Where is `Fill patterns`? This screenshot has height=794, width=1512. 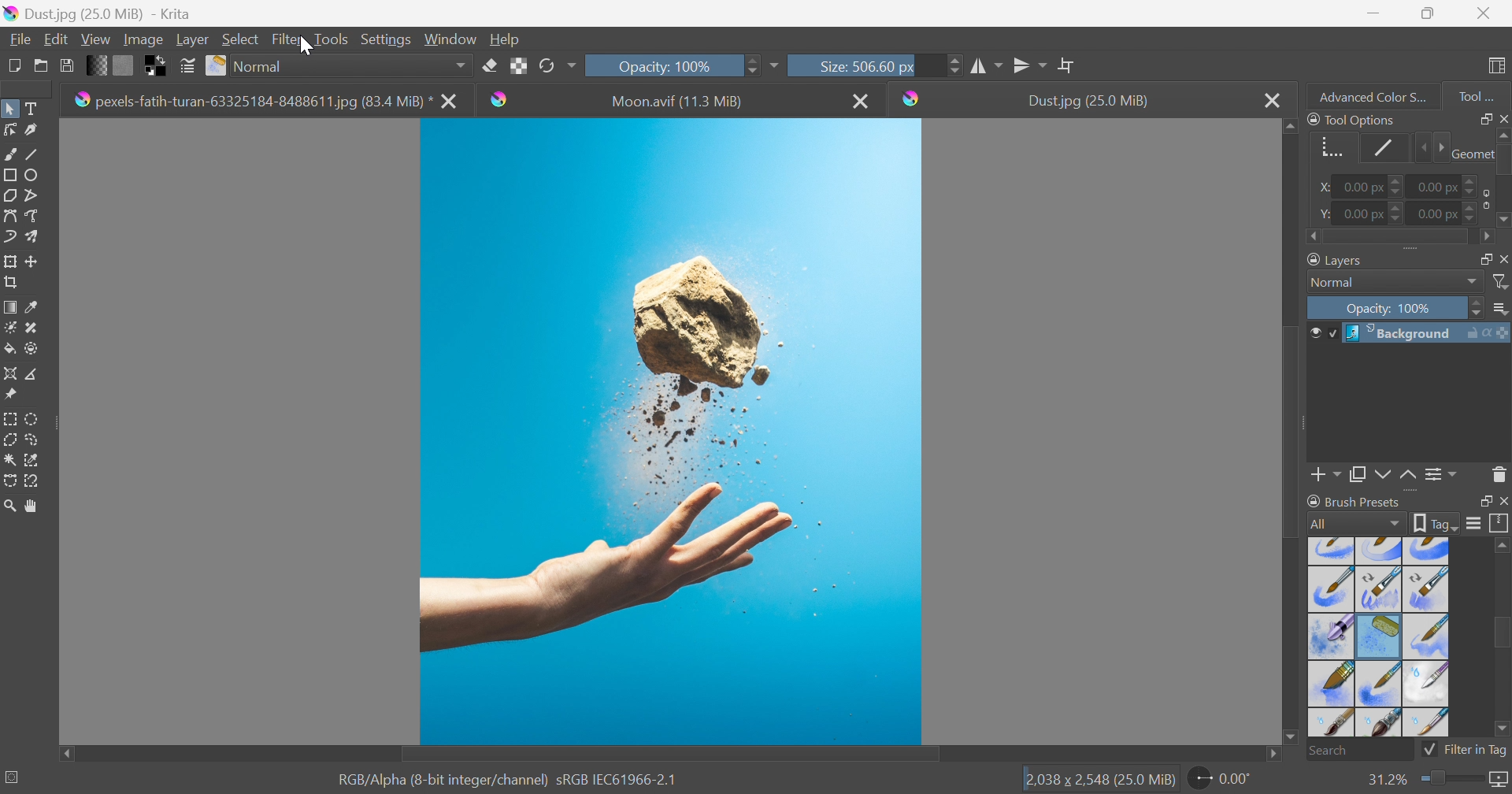 Fill patterns is located at coordinates (124, 64).